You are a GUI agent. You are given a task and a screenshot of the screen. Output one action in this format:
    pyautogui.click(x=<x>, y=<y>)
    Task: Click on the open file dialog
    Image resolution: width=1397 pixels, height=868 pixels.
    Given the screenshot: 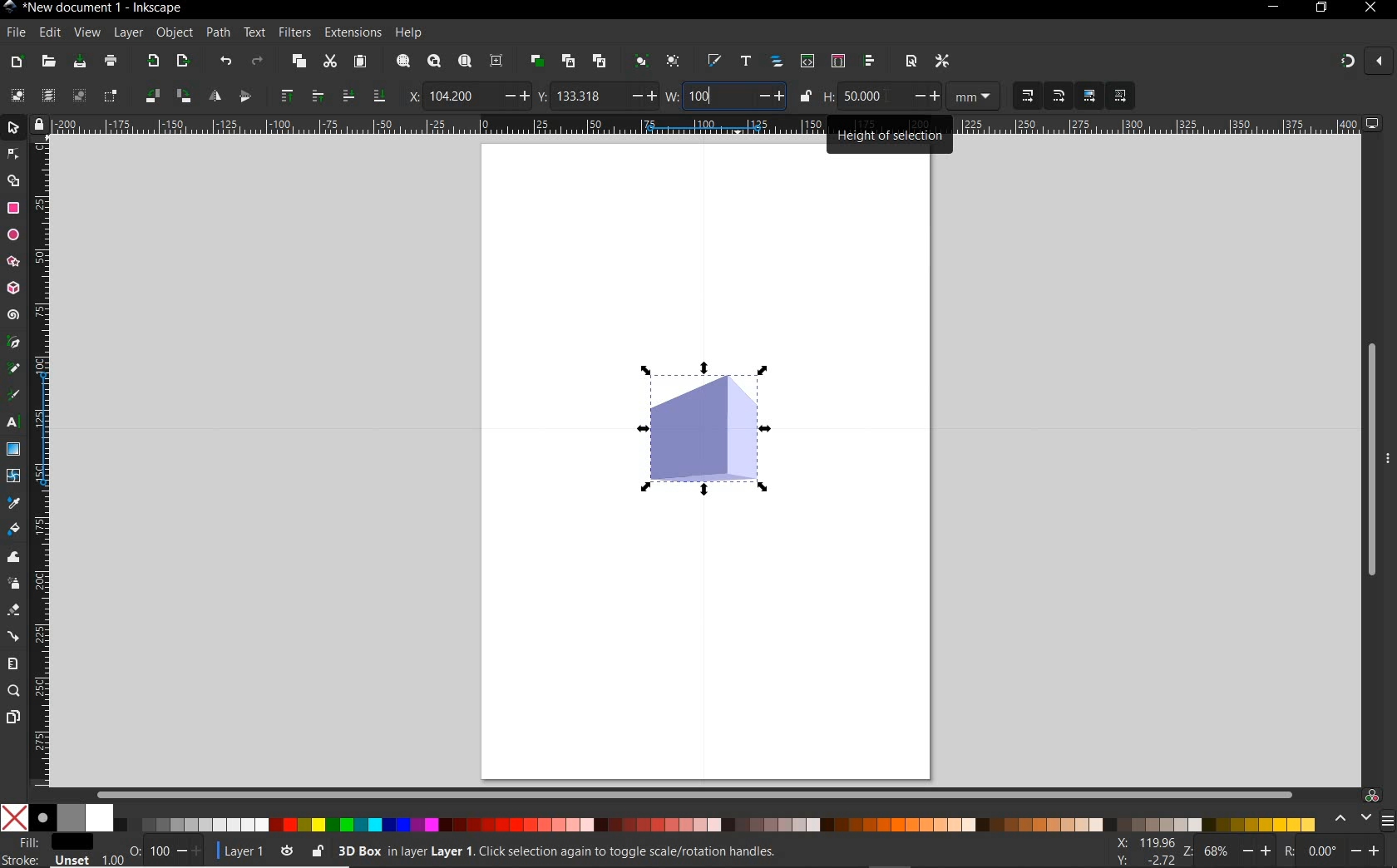 What is the action you would take?
    pyautogui.click(x=47, y=62)
    